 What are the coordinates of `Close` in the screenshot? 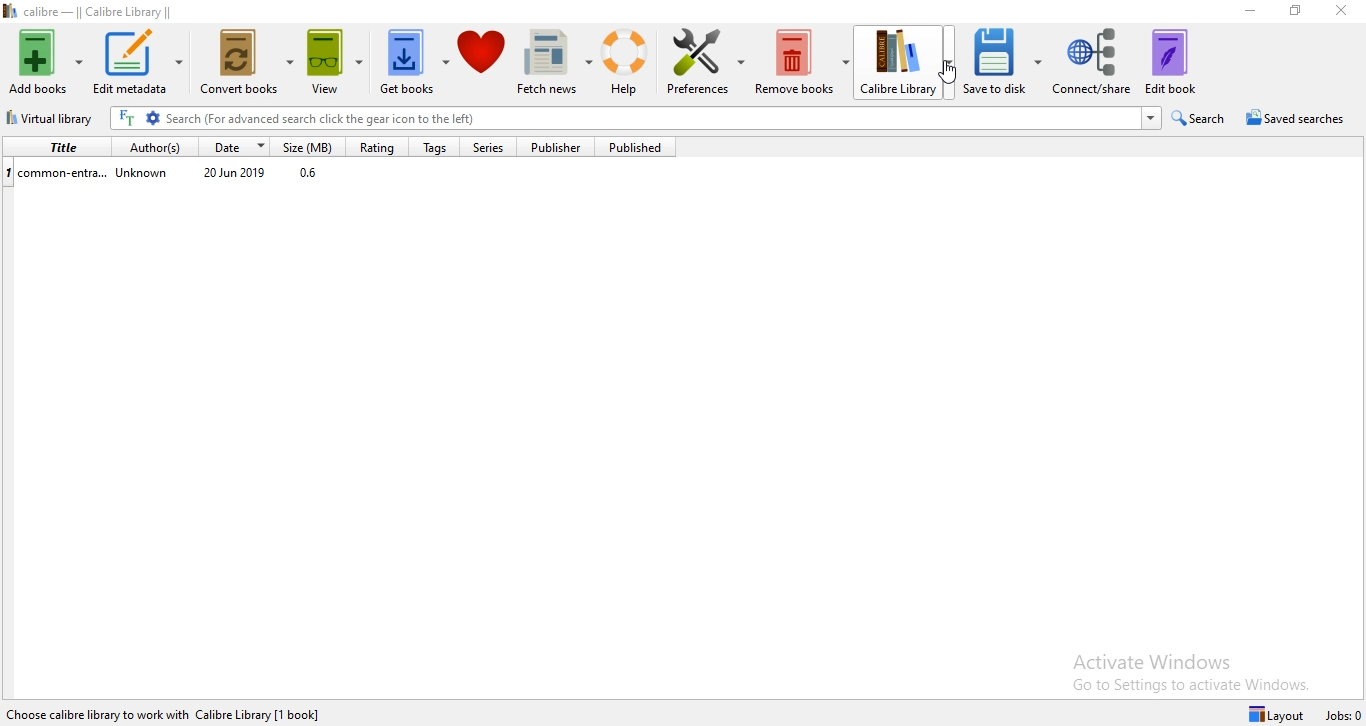 It's located at (1339, 15).